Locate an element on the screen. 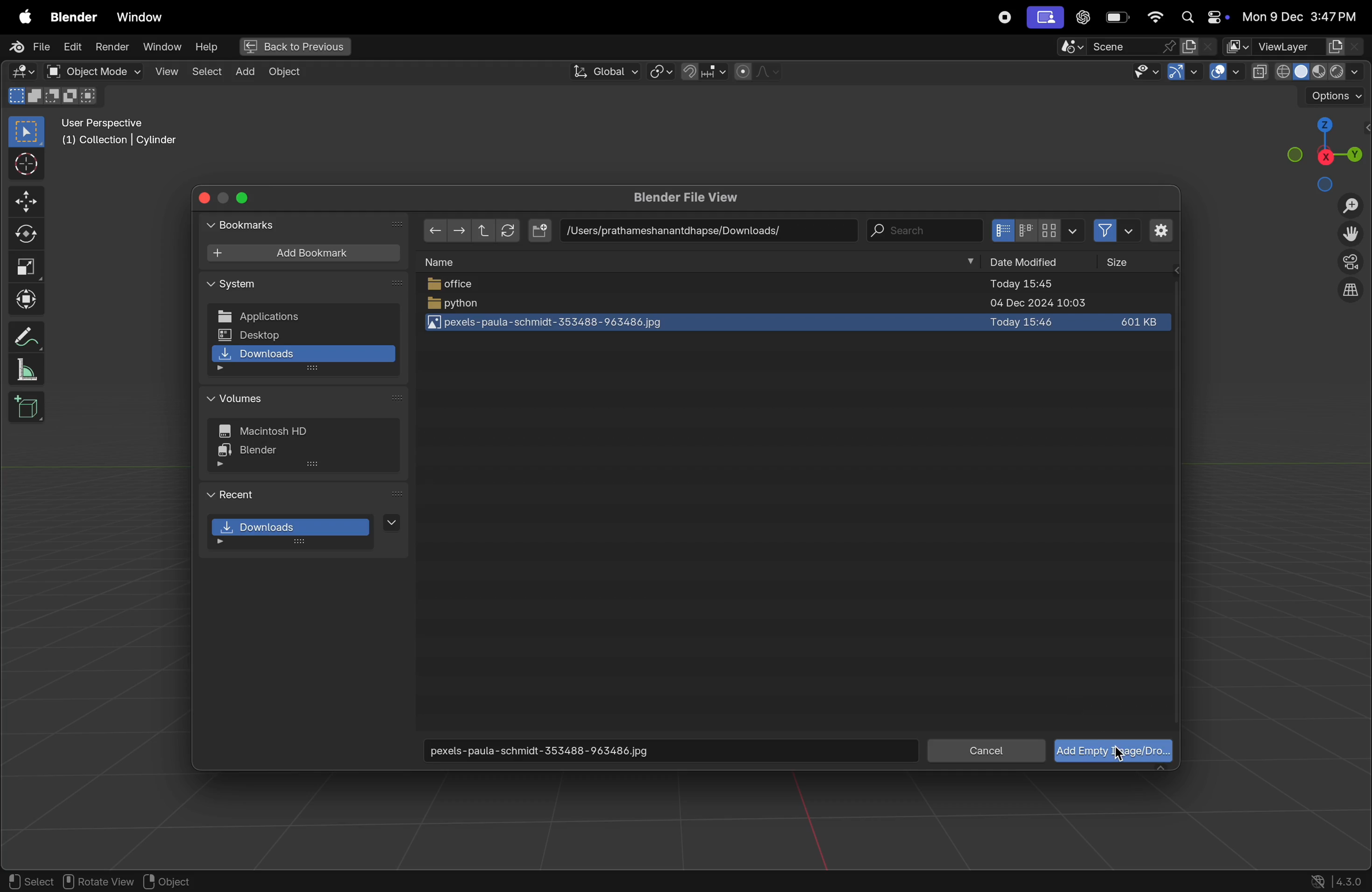  wifi is located at coordinates (1155, 17).